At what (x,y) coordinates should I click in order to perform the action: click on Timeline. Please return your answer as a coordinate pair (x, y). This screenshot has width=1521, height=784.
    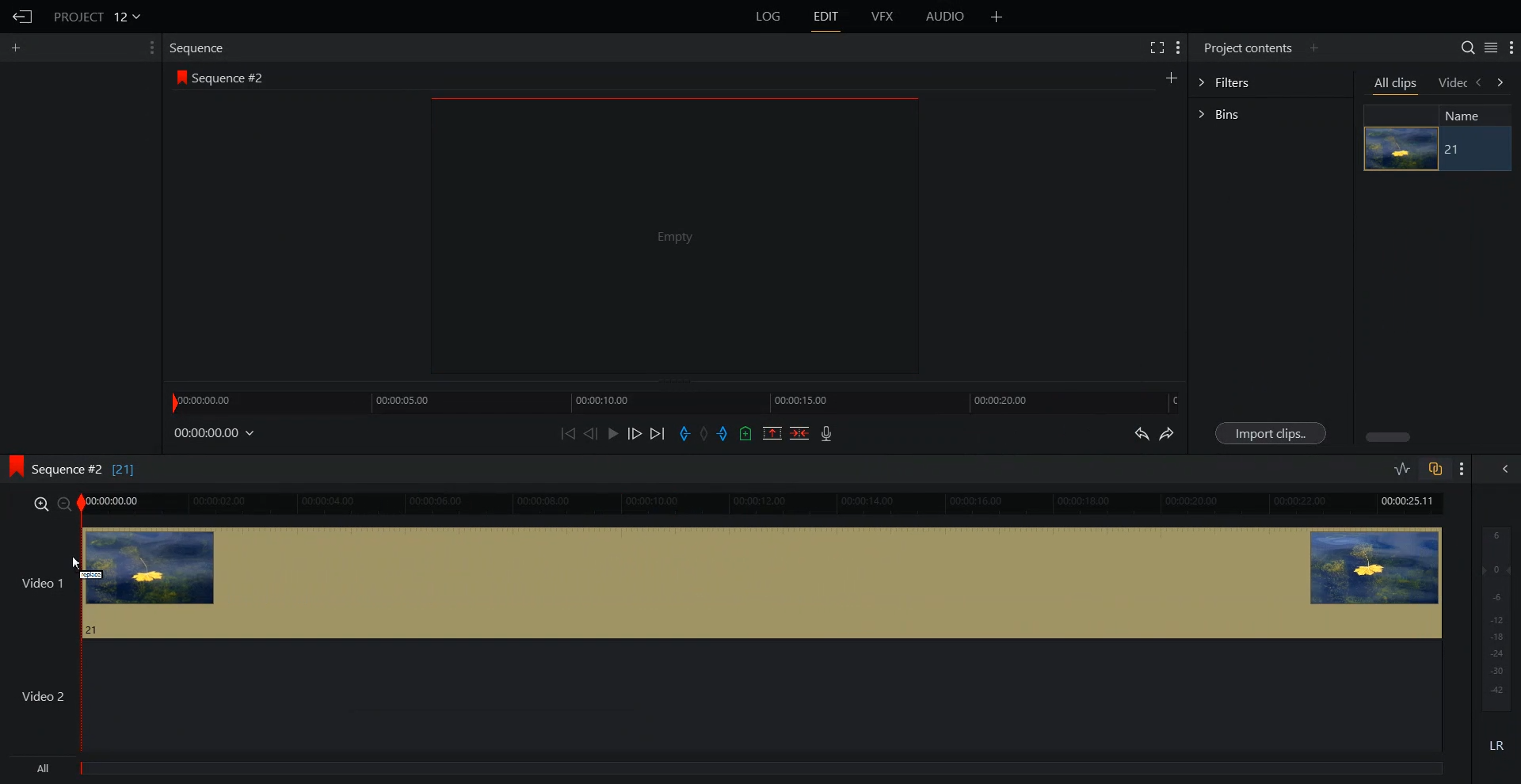
    Looking at the image, I should click on (761, 504).